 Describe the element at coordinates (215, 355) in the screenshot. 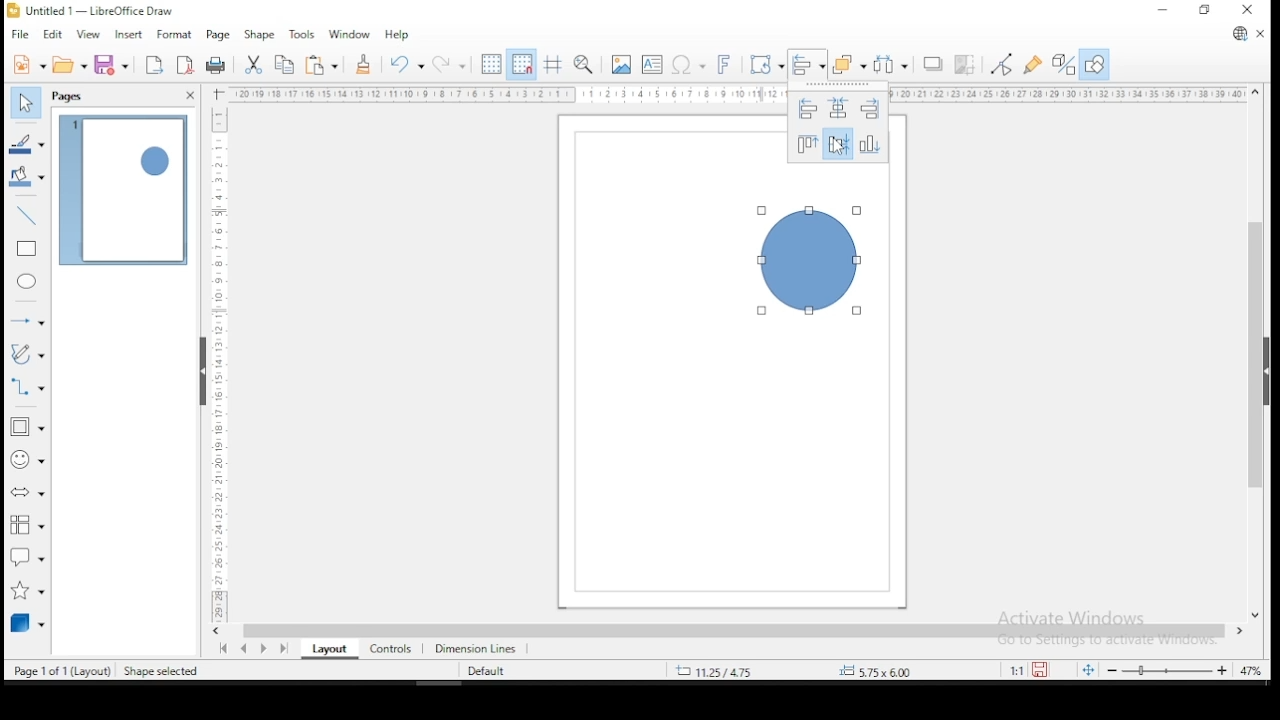

I see `vertical scale` at that location.